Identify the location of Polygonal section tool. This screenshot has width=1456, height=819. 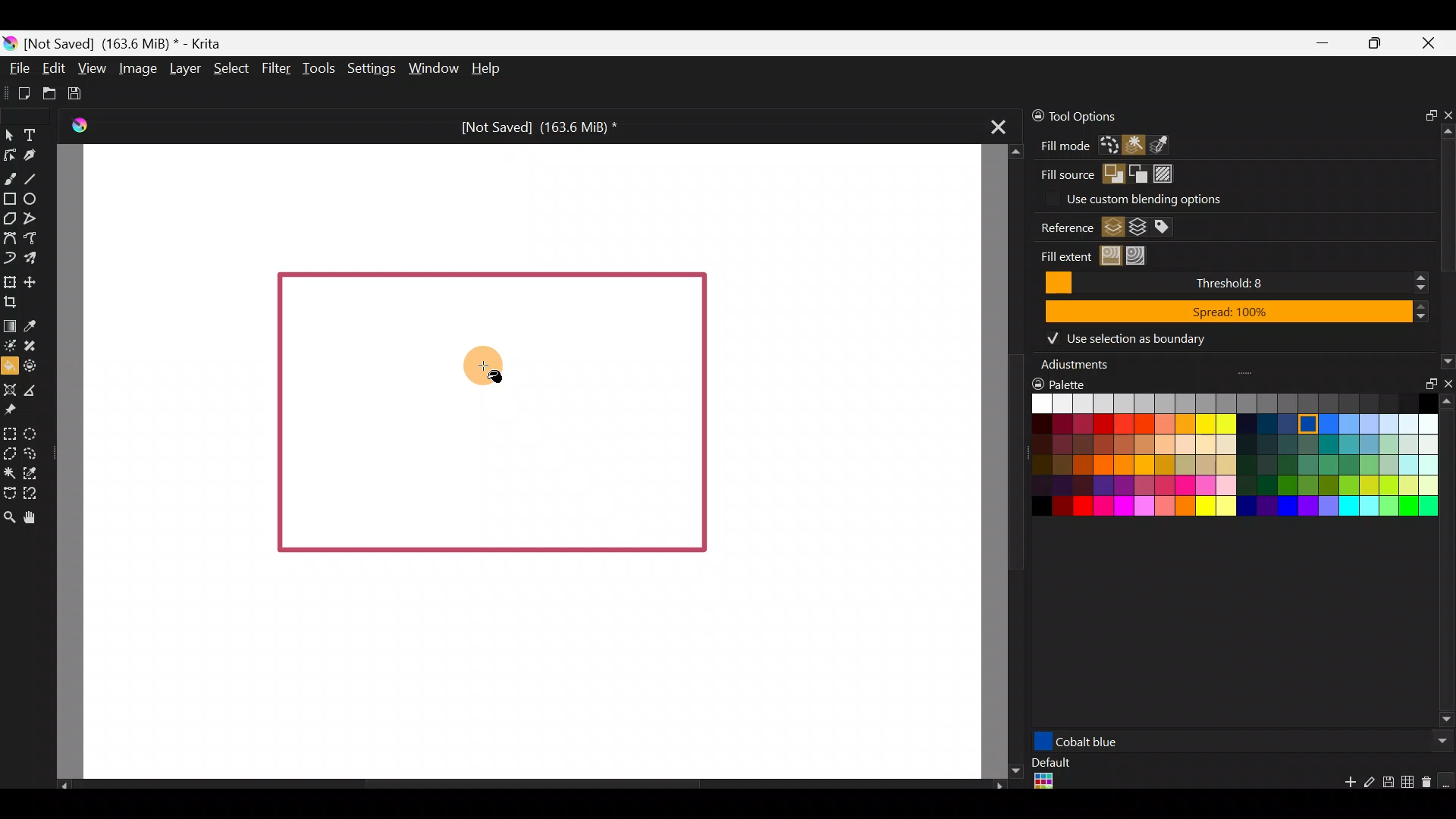
(10, 454).